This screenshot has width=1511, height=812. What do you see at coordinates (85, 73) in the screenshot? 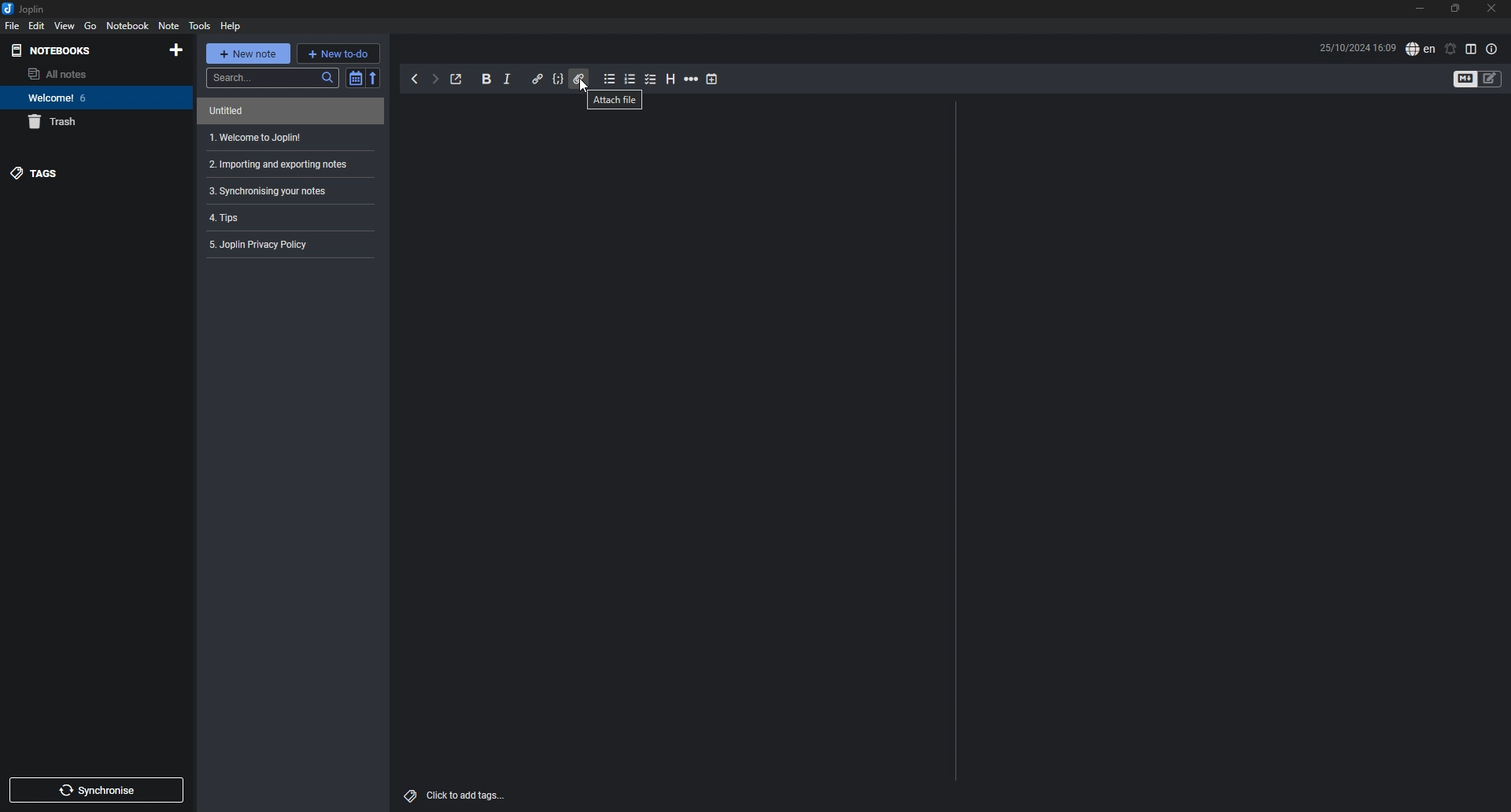
I see `all notes` at bounding box center [85, 73].